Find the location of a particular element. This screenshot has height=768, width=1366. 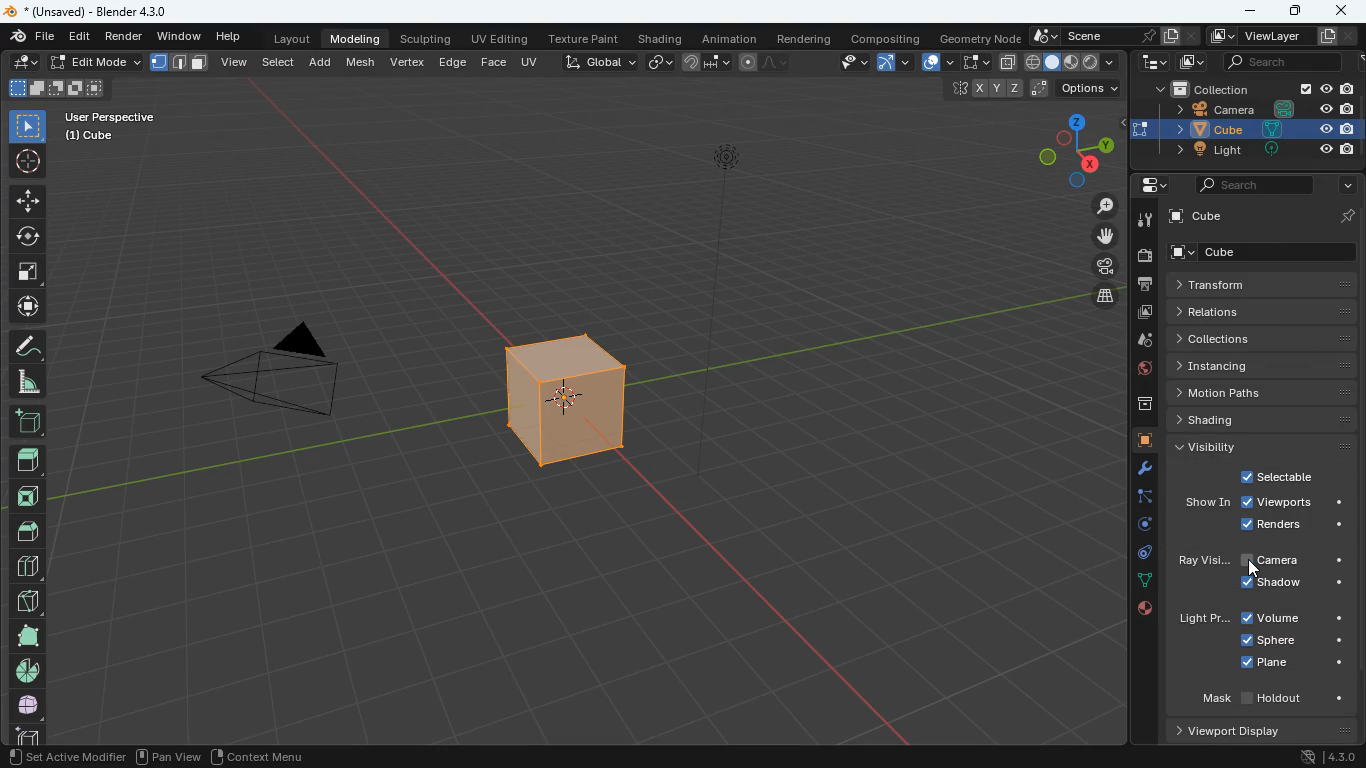

uv is located at coordinates (532, 64).